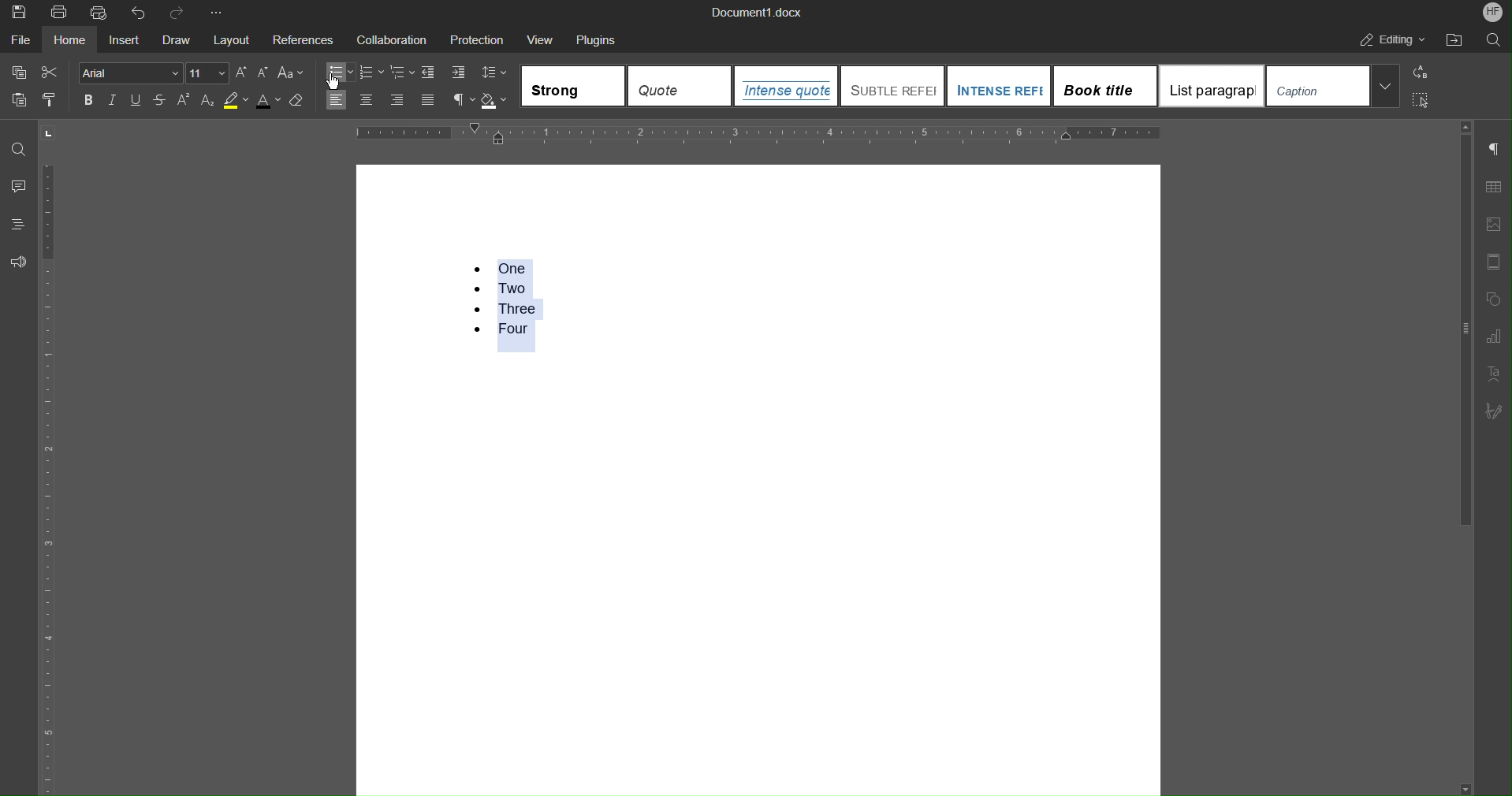  I want to click on Print, so click(61, 11).